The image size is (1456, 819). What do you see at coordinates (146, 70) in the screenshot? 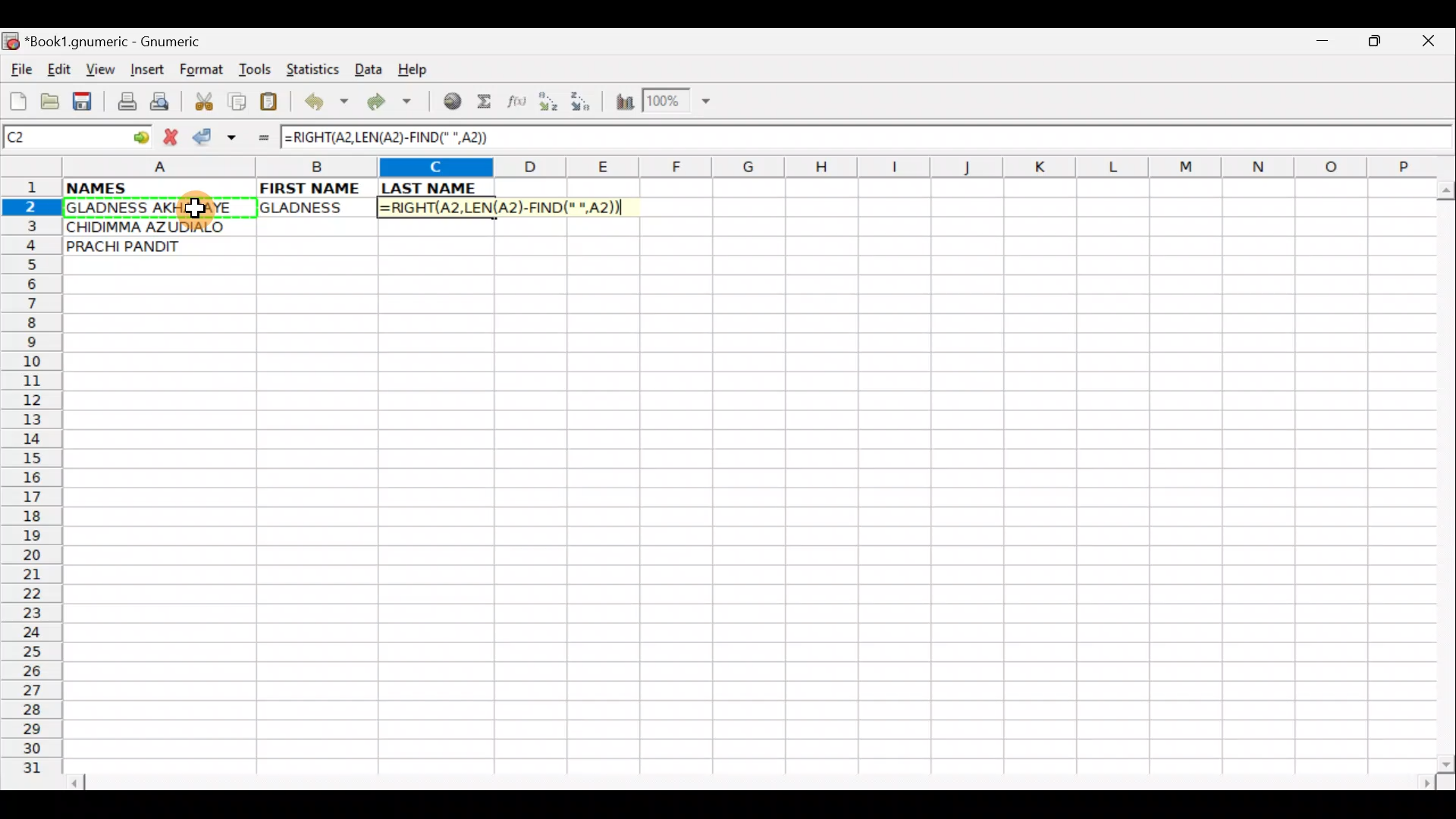
I see `Insert` at bounding box center [146, 70].